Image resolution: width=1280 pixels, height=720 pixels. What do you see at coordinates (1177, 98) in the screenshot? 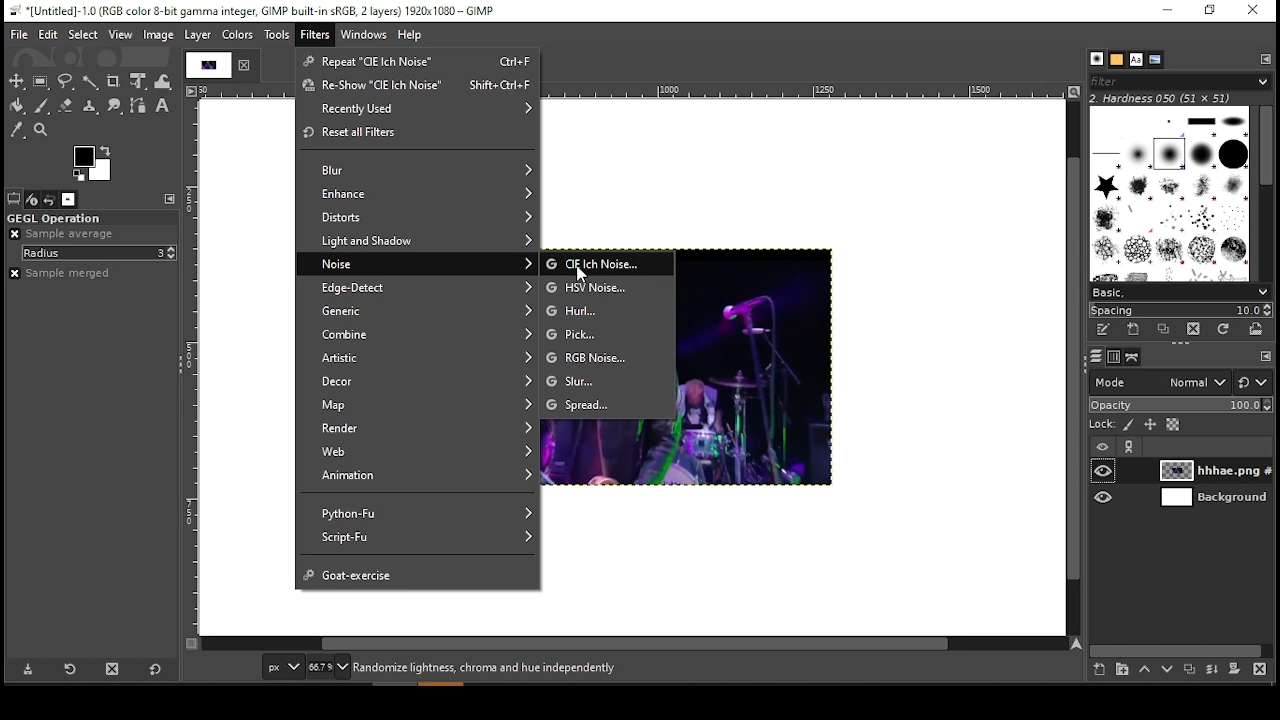
I see `hardness 050` at bounding box center [1177, 98].